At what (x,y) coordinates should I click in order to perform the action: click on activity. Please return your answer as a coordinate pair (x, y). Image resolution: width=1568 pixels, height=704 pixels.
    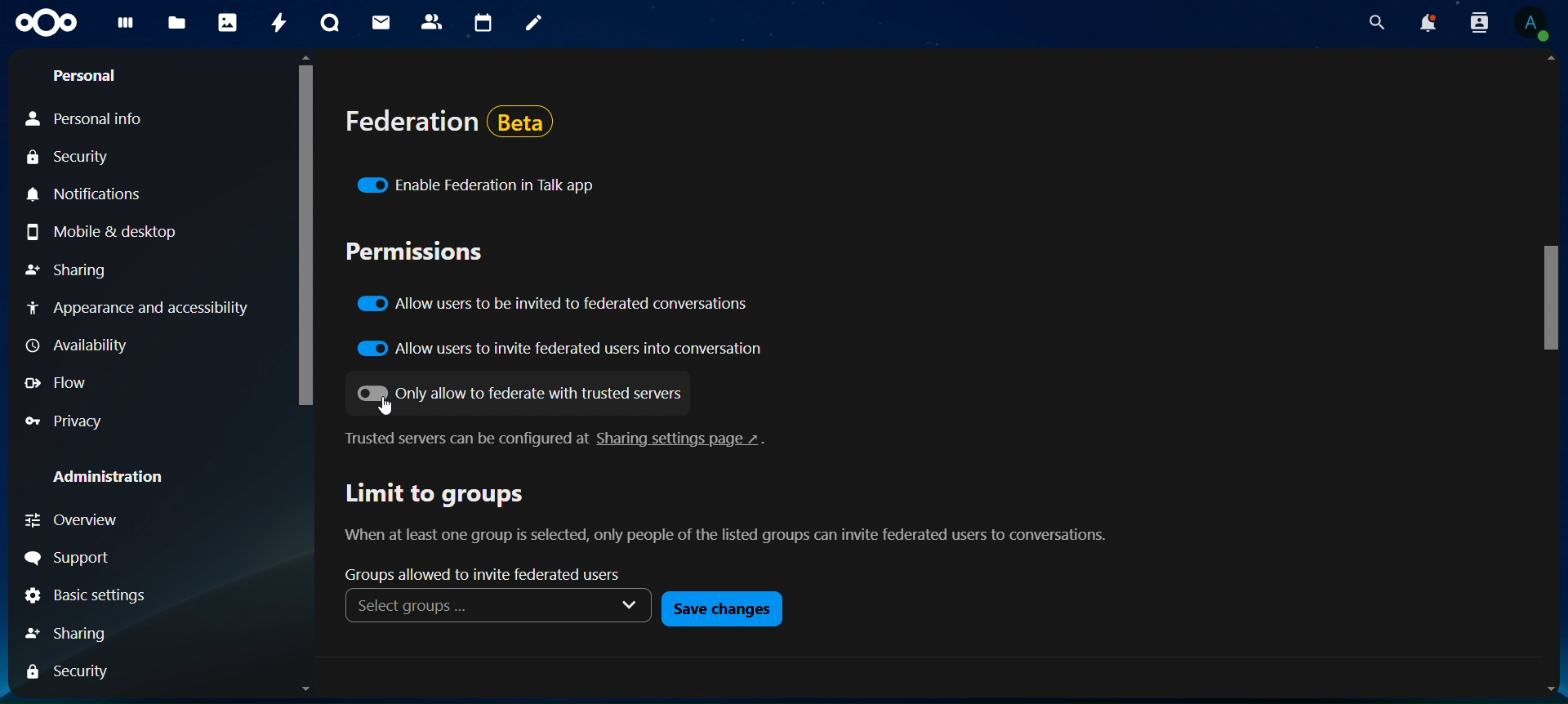
    Looking at the image, I should click on (281, 25).